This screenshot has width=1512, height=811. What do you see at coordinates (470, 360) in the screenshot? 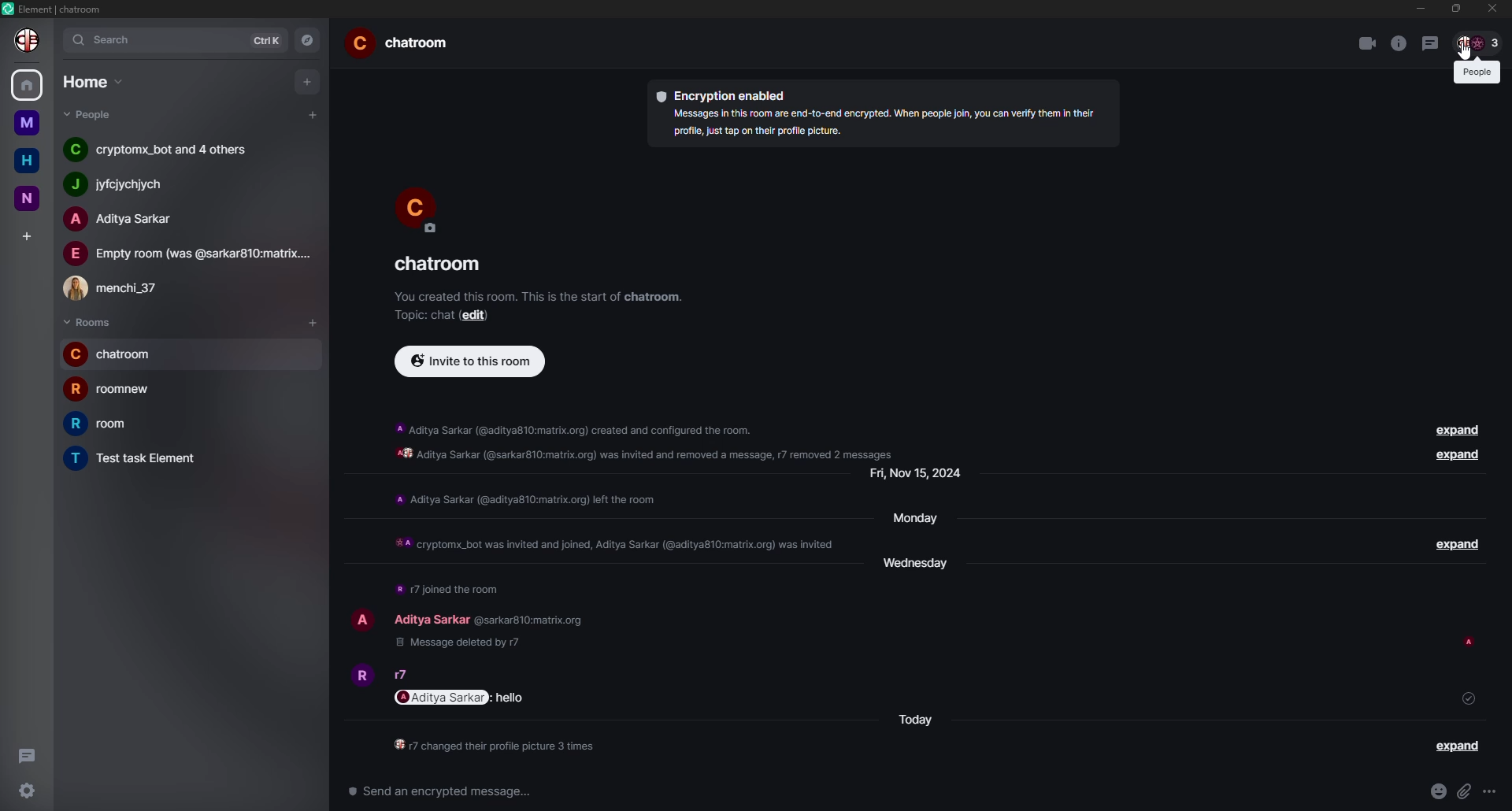
I see `invite to this room` at bounding box center [470, 360].